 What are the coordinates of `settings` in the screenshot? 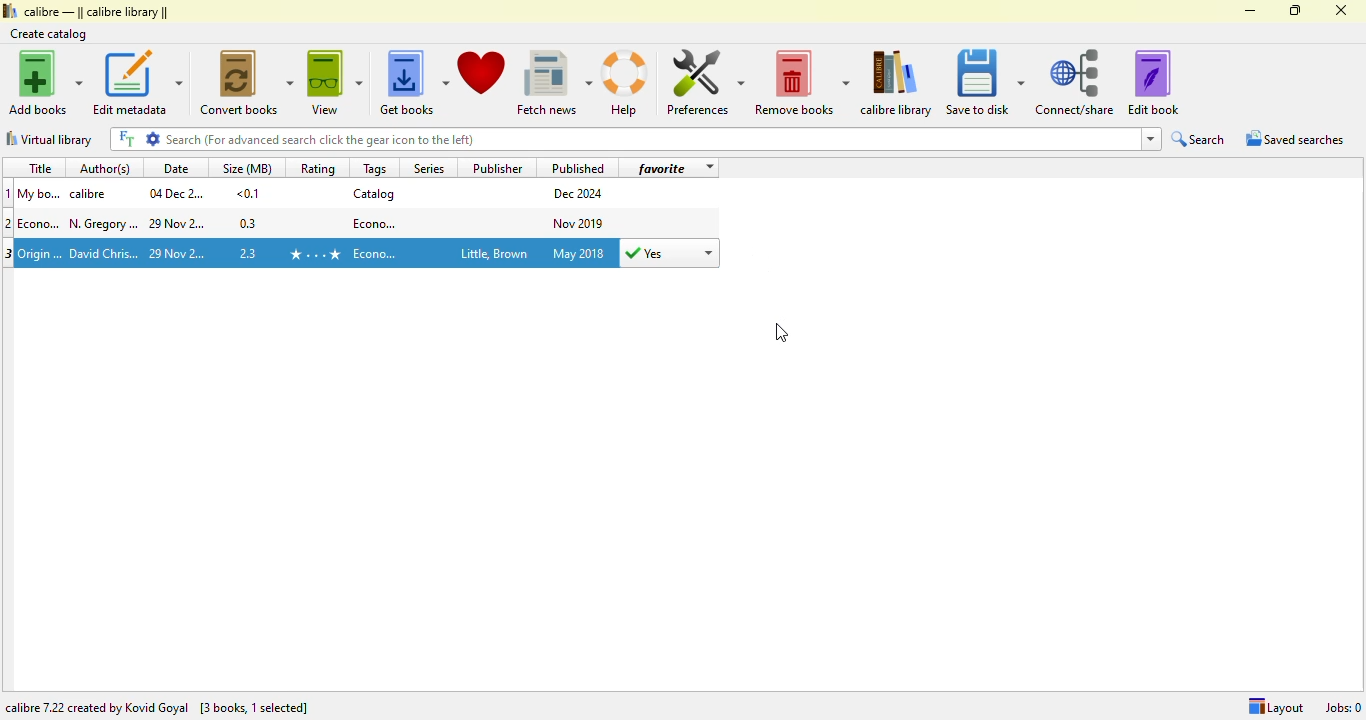 It's located at (153, 138).